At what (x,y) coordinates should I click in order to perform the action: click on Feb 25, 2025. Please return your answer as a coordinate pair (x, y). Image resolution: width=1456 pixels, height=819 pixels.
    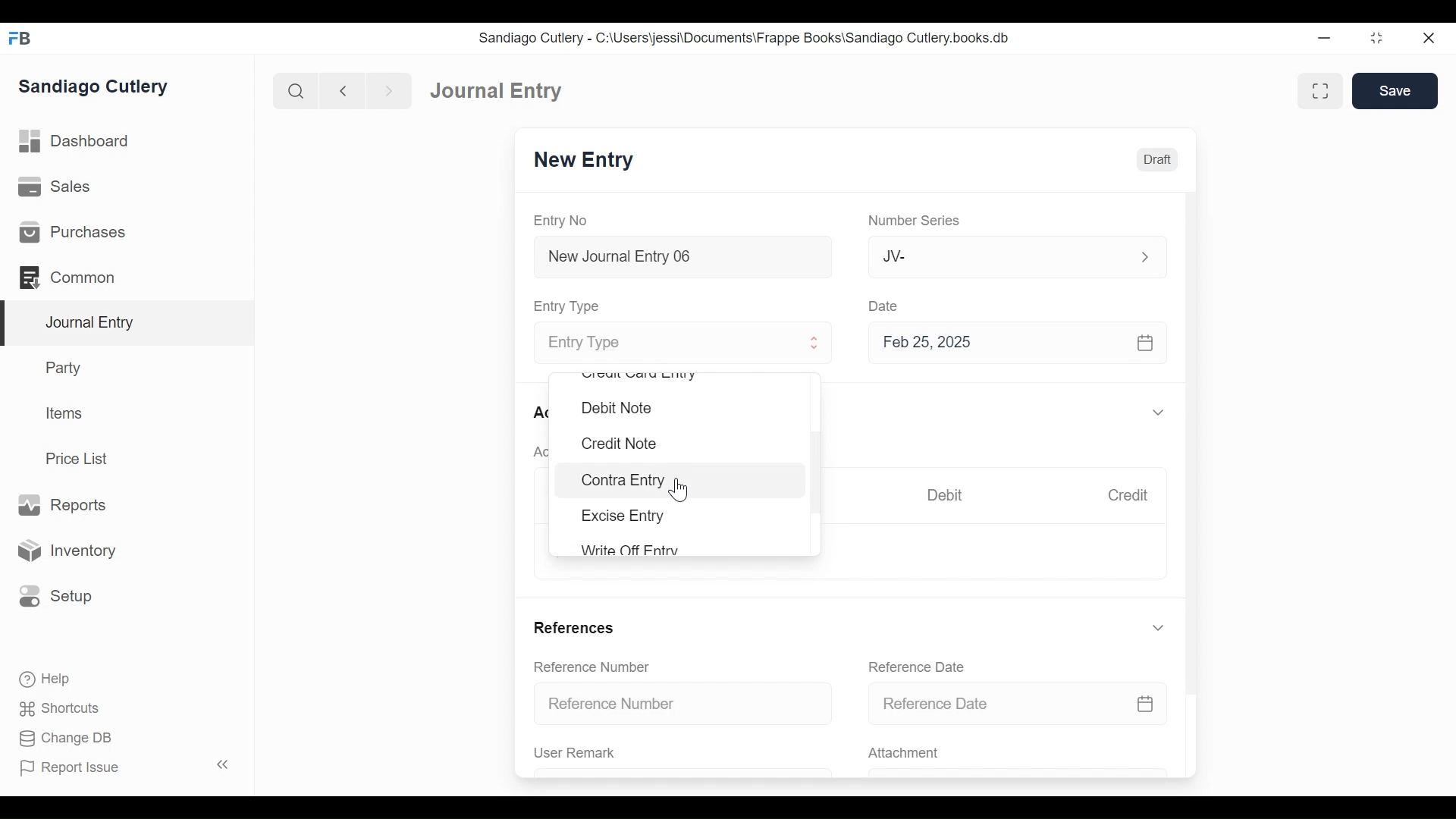
    Looking at the image, I should click on (1011, 342).